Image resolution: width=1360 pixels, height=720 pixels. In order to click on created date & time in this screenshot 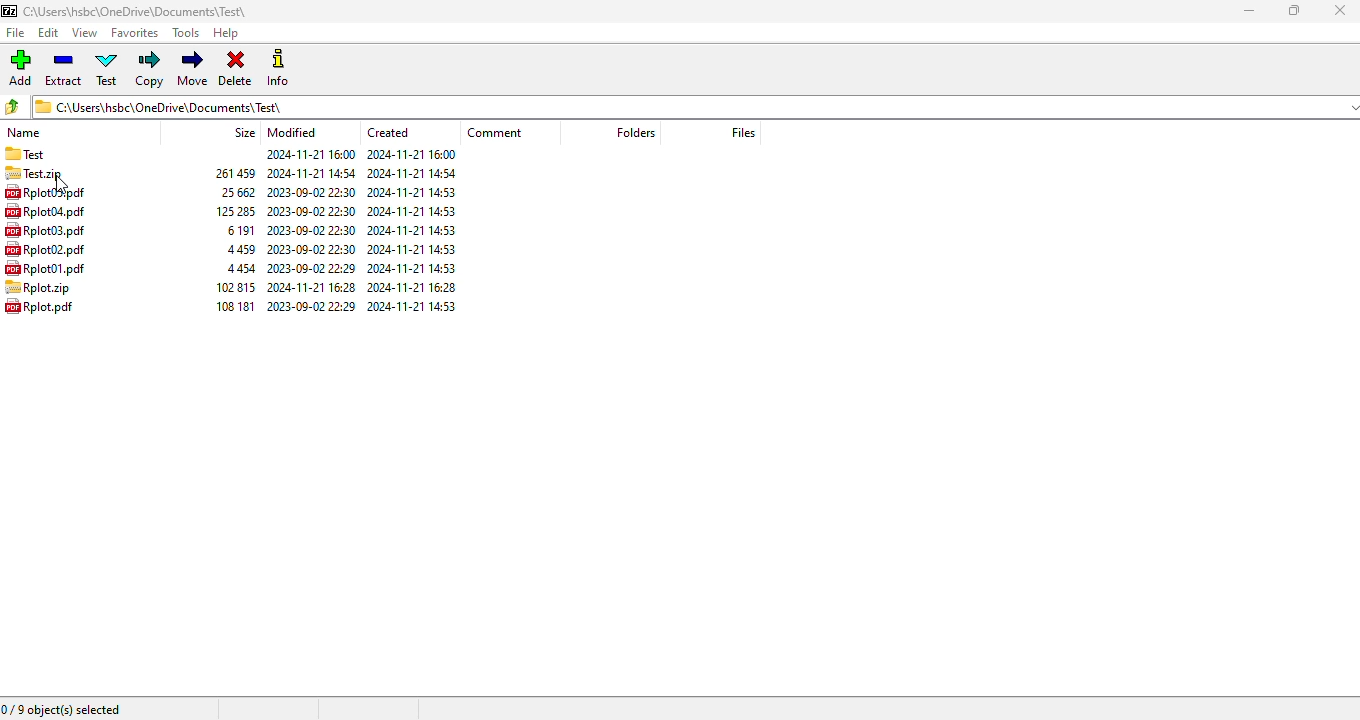, I will do `click(412, 268)`.